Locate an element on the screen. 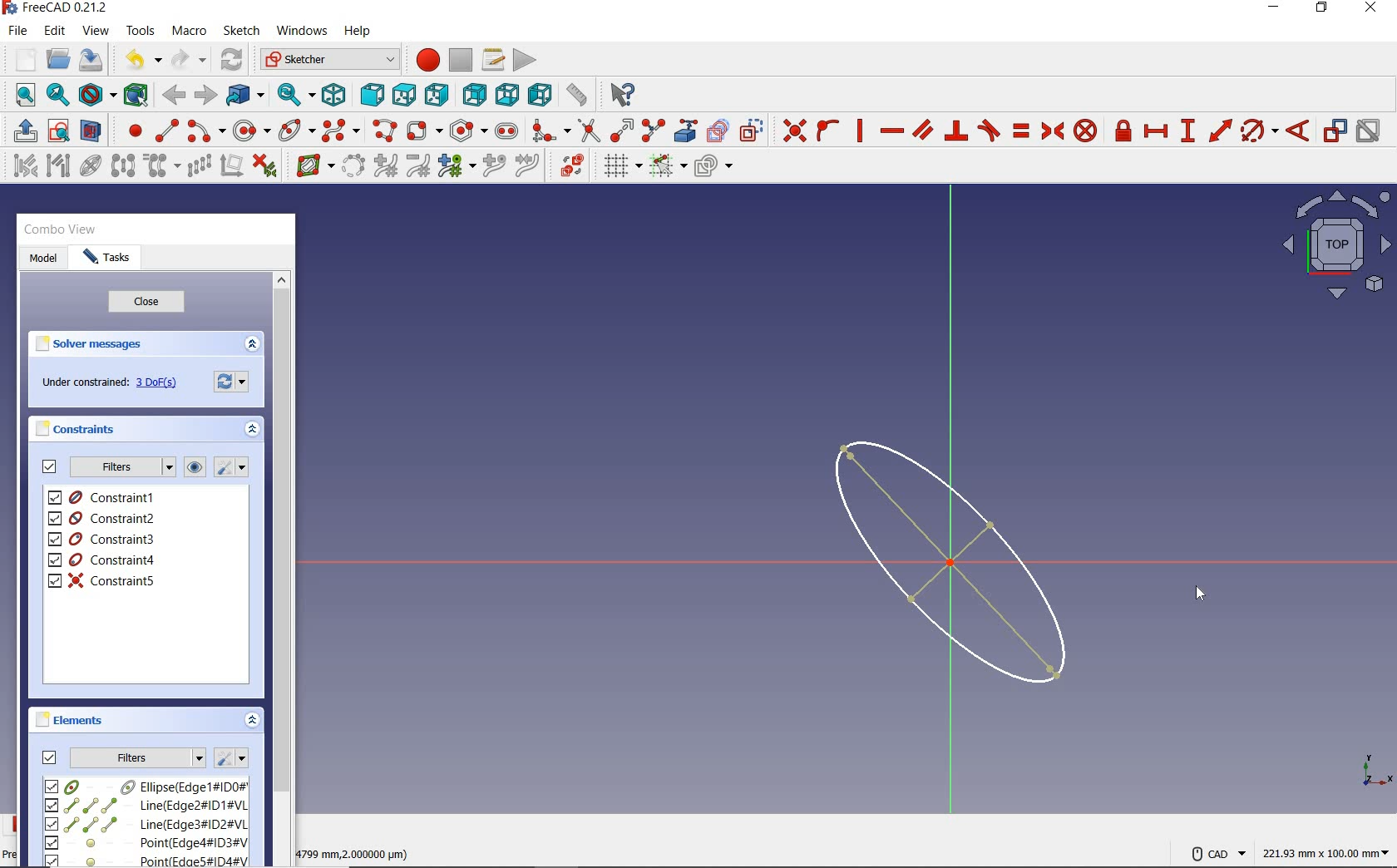 The width and height of the screenshot is (1397, 868). measurement is located at coordinates (1327, 851).